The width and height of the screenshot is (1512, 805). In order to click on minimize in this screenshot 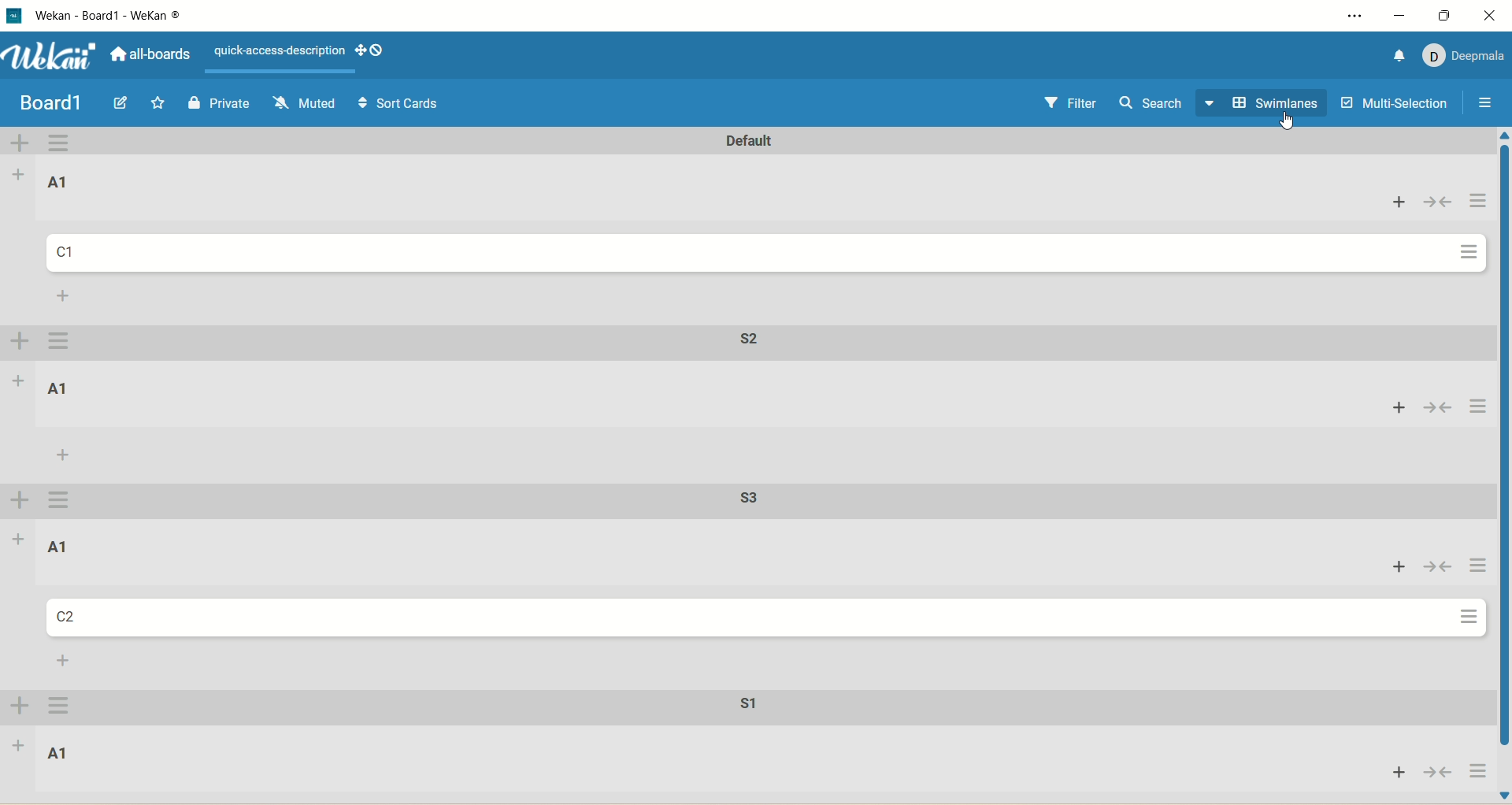, I will do `click(1403, 16)`.